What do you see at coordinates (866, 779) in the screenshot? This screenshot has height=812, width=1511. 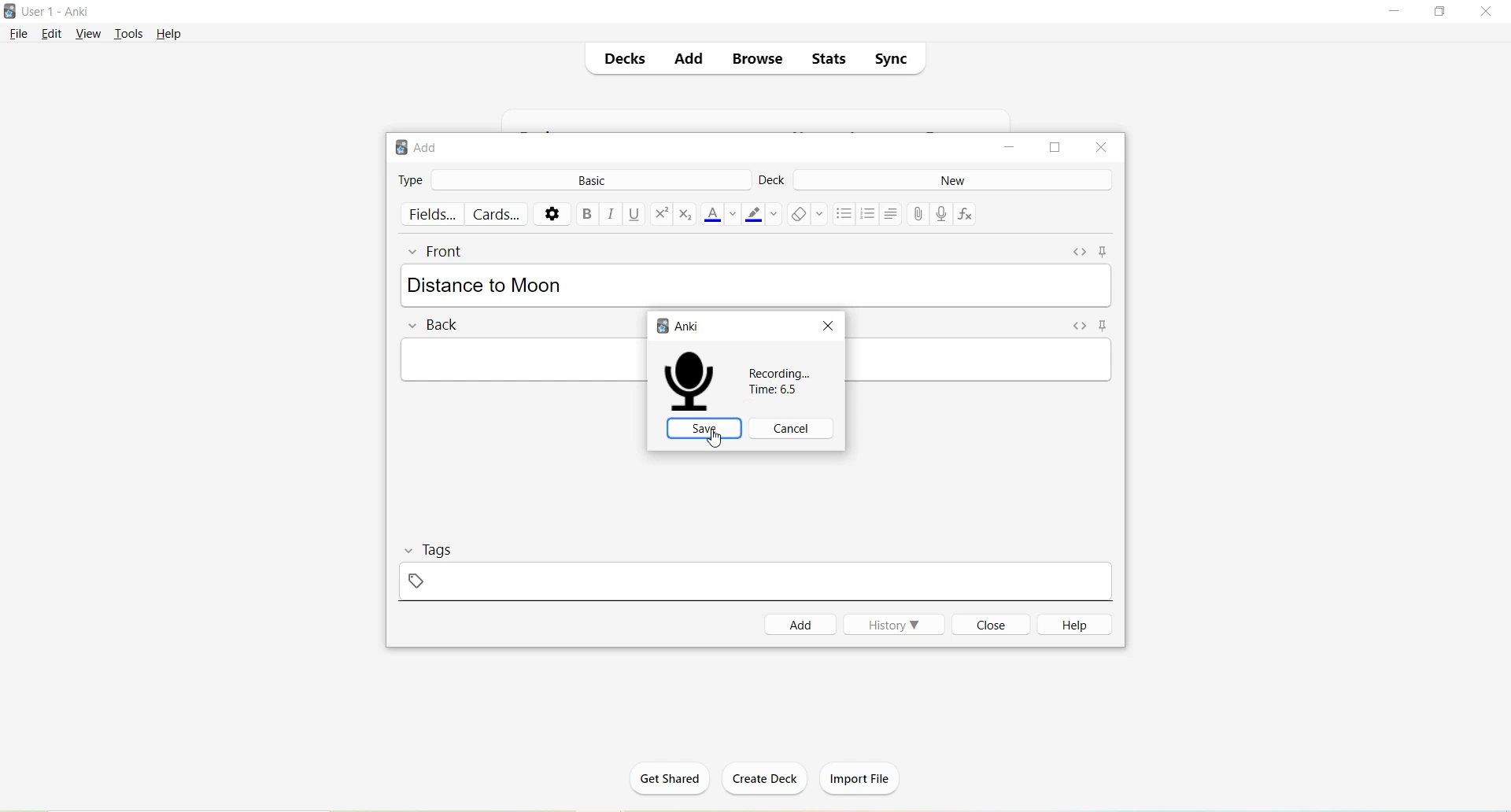 I see `Import File` at bounding box center [866, 779].